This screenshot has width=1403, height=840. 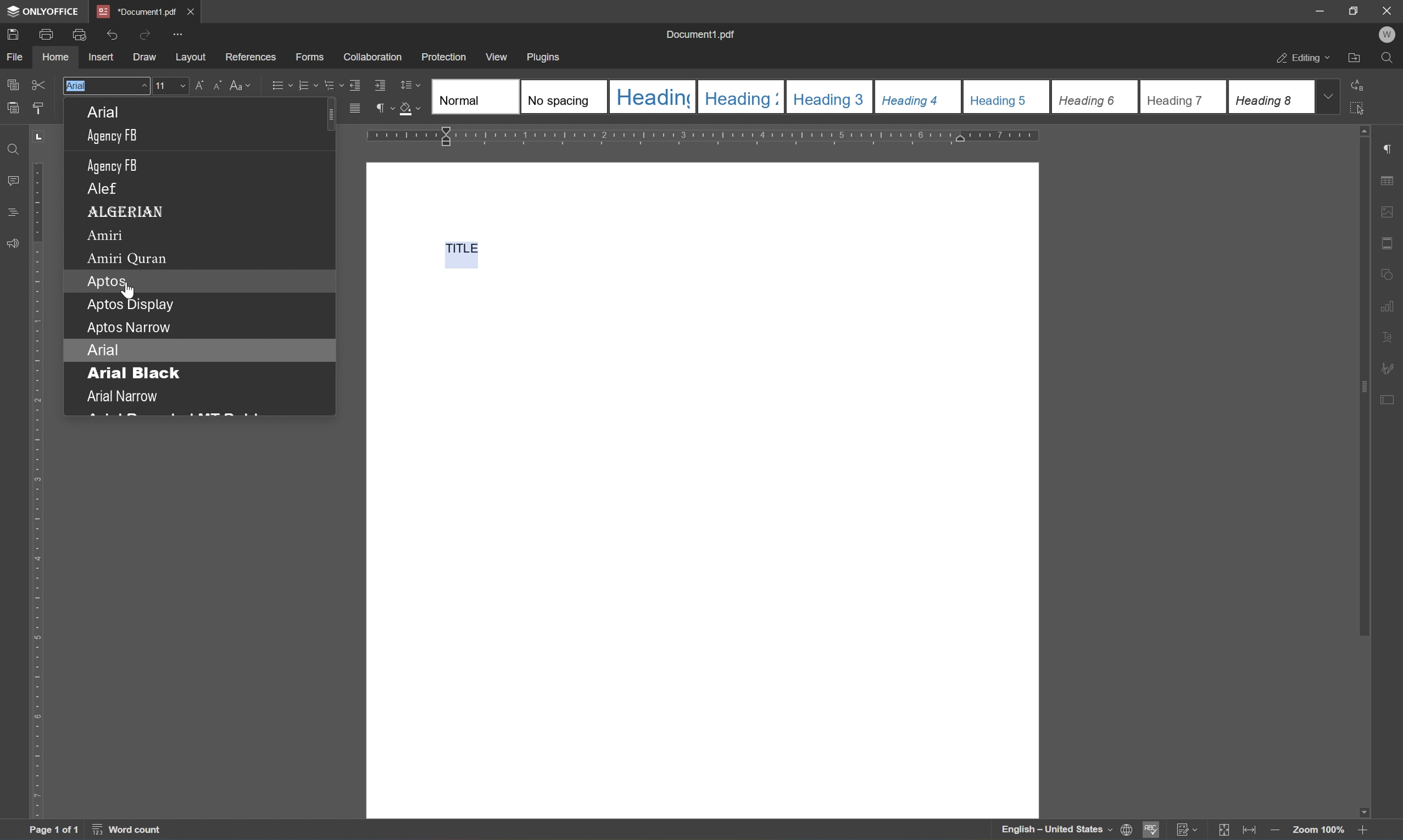 What do you see at coordinates (251, 58) in the screenshot?
I see `references` at bounding box center [251, 58].